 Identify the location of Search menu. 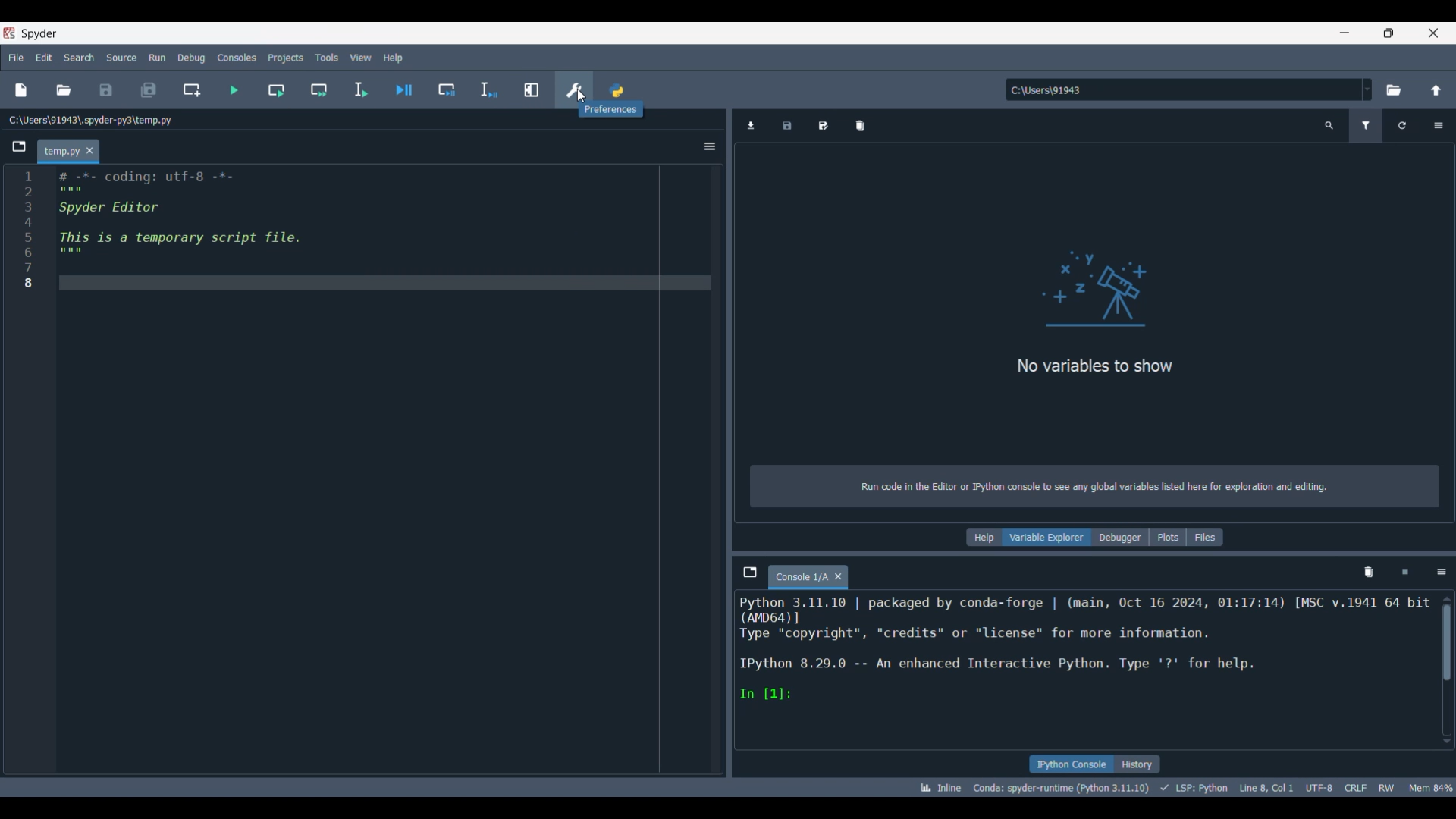
(79, 58).